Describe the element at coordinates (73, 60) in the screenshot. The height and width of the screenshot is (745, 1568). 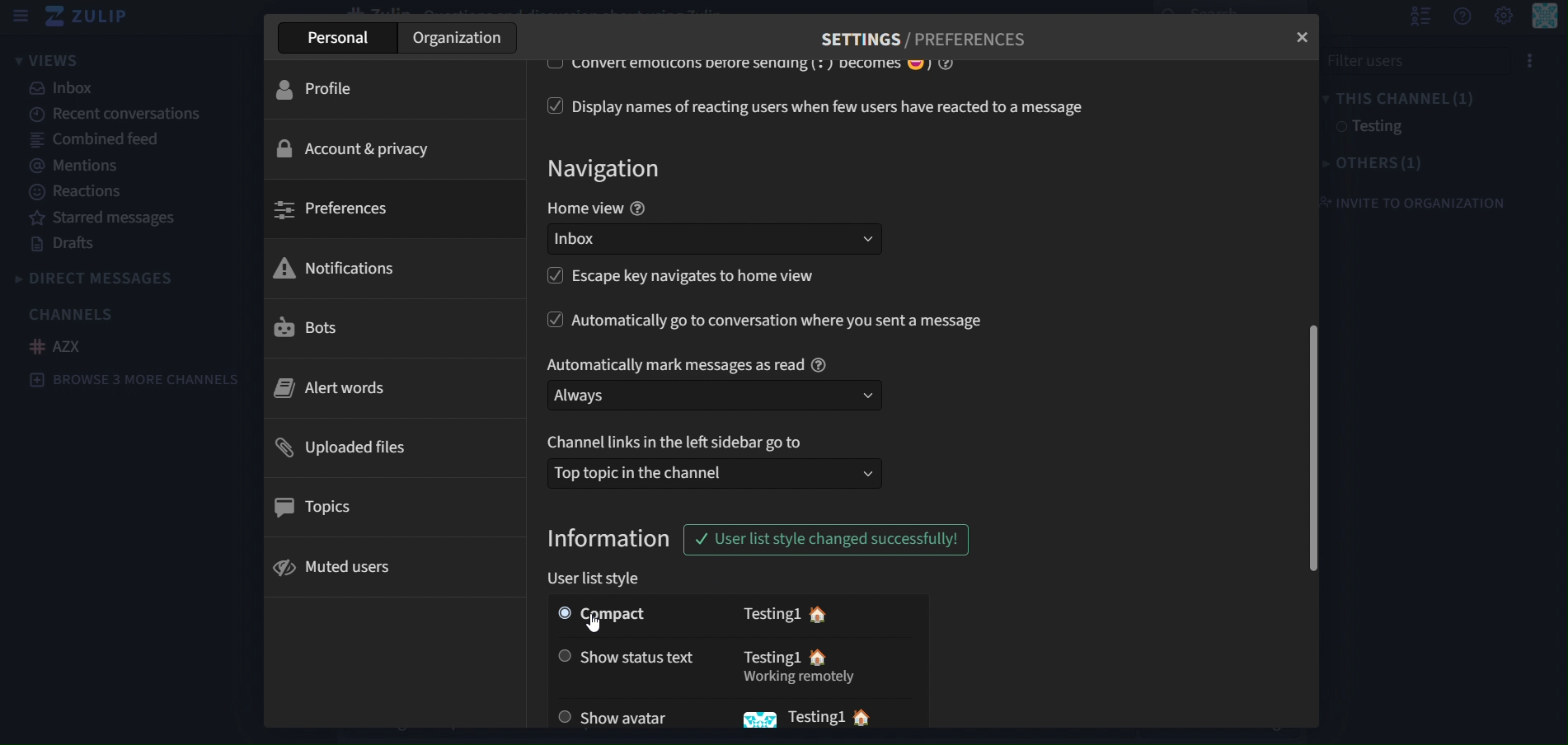
I see `views` at that location.